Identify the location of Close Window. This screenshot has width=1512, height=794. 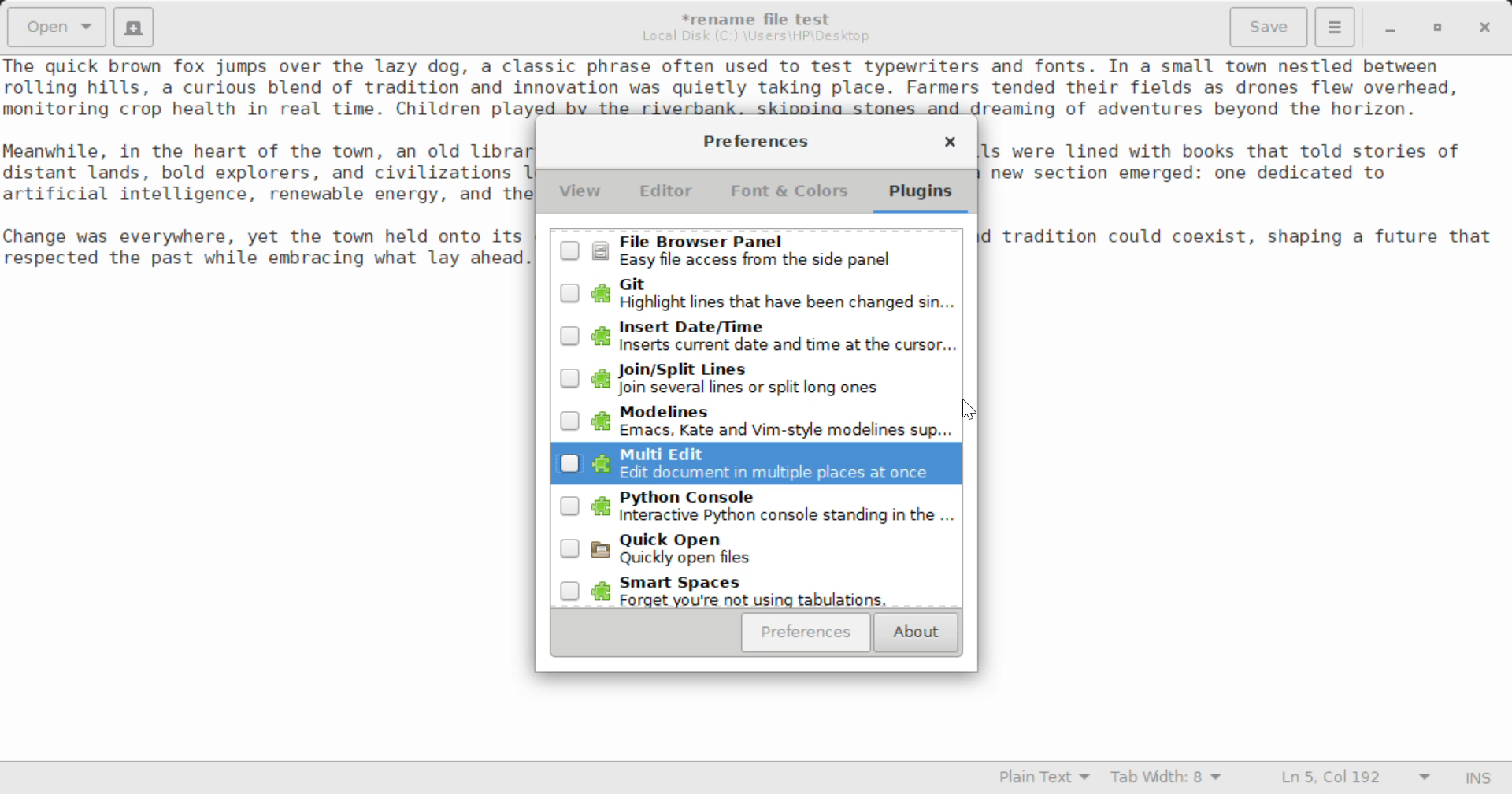
(950, 144).